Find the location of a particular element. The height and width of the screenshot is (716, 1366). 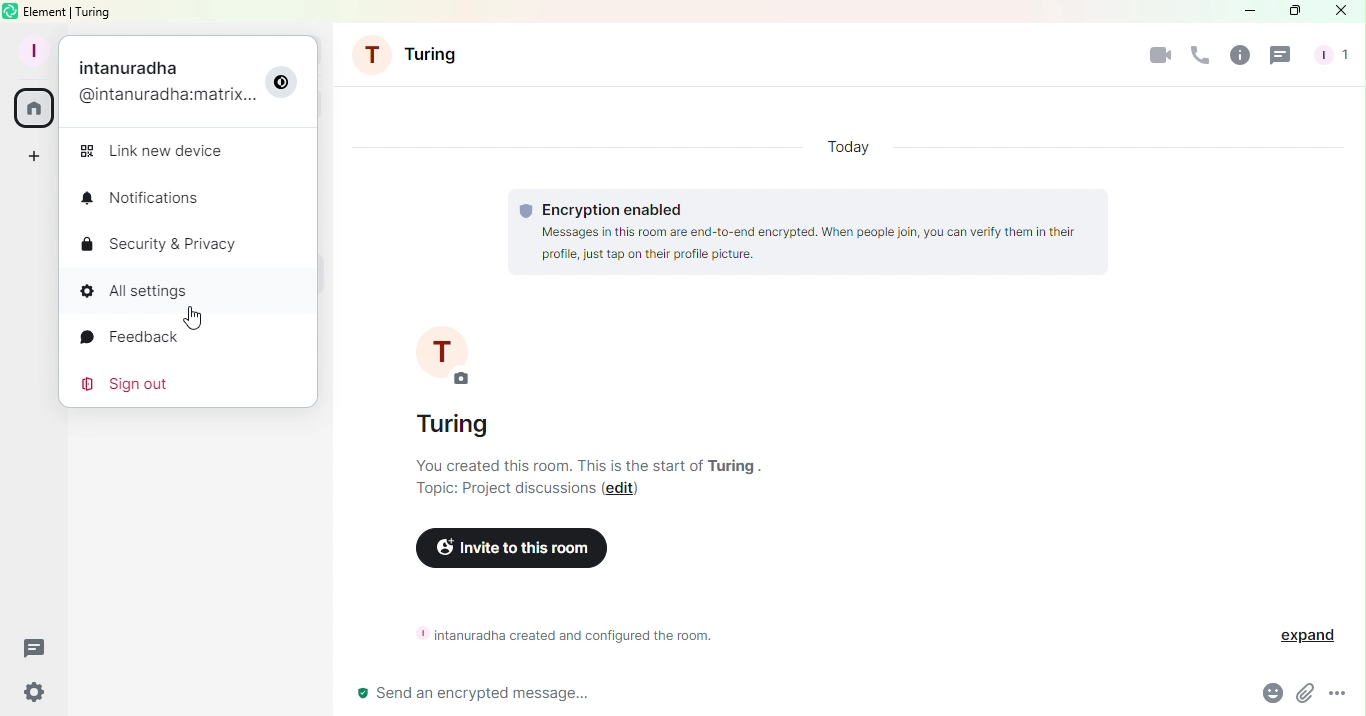

Video call is located at coordinates (1156, 55).